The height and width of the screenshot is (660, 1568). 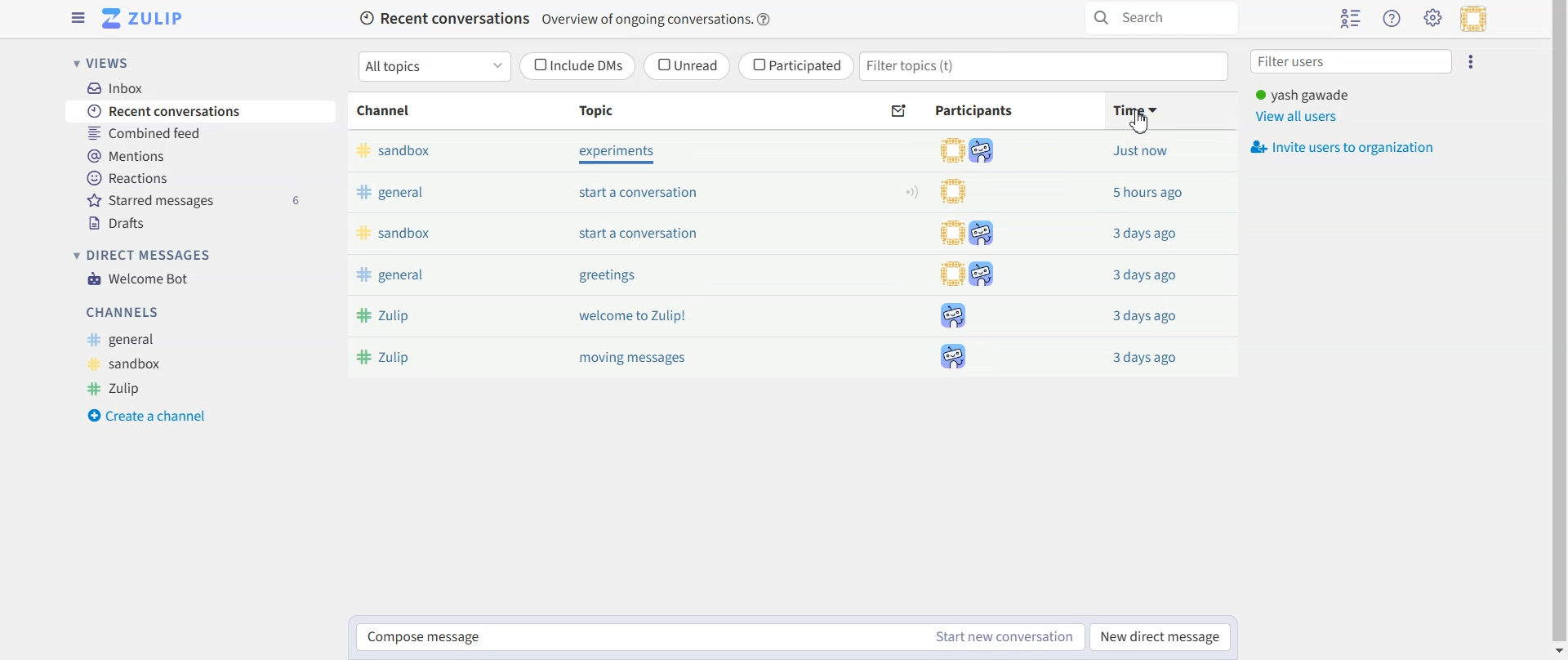 I want to click on General, so click(x=119, y=340).